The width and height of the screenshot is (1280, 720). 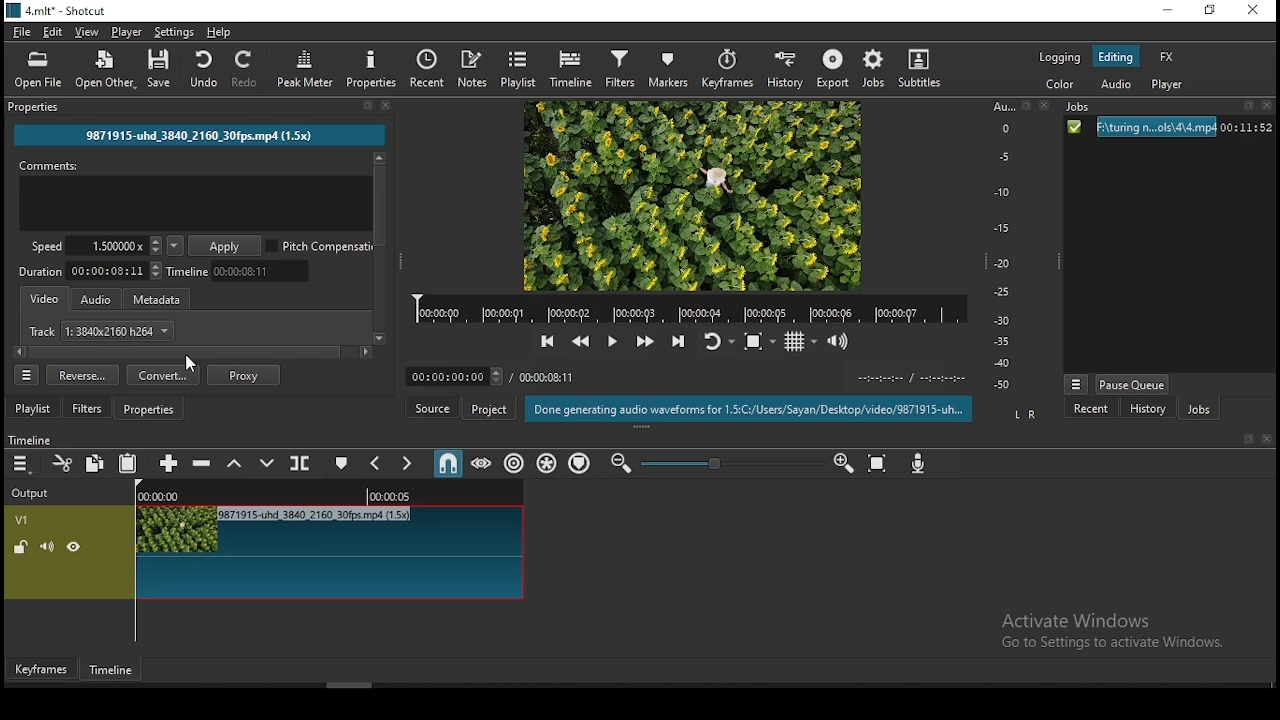 What do you see at coordinates (1167, 128) in the screenshot?
I see `File` at bounding box center [1167, 128].